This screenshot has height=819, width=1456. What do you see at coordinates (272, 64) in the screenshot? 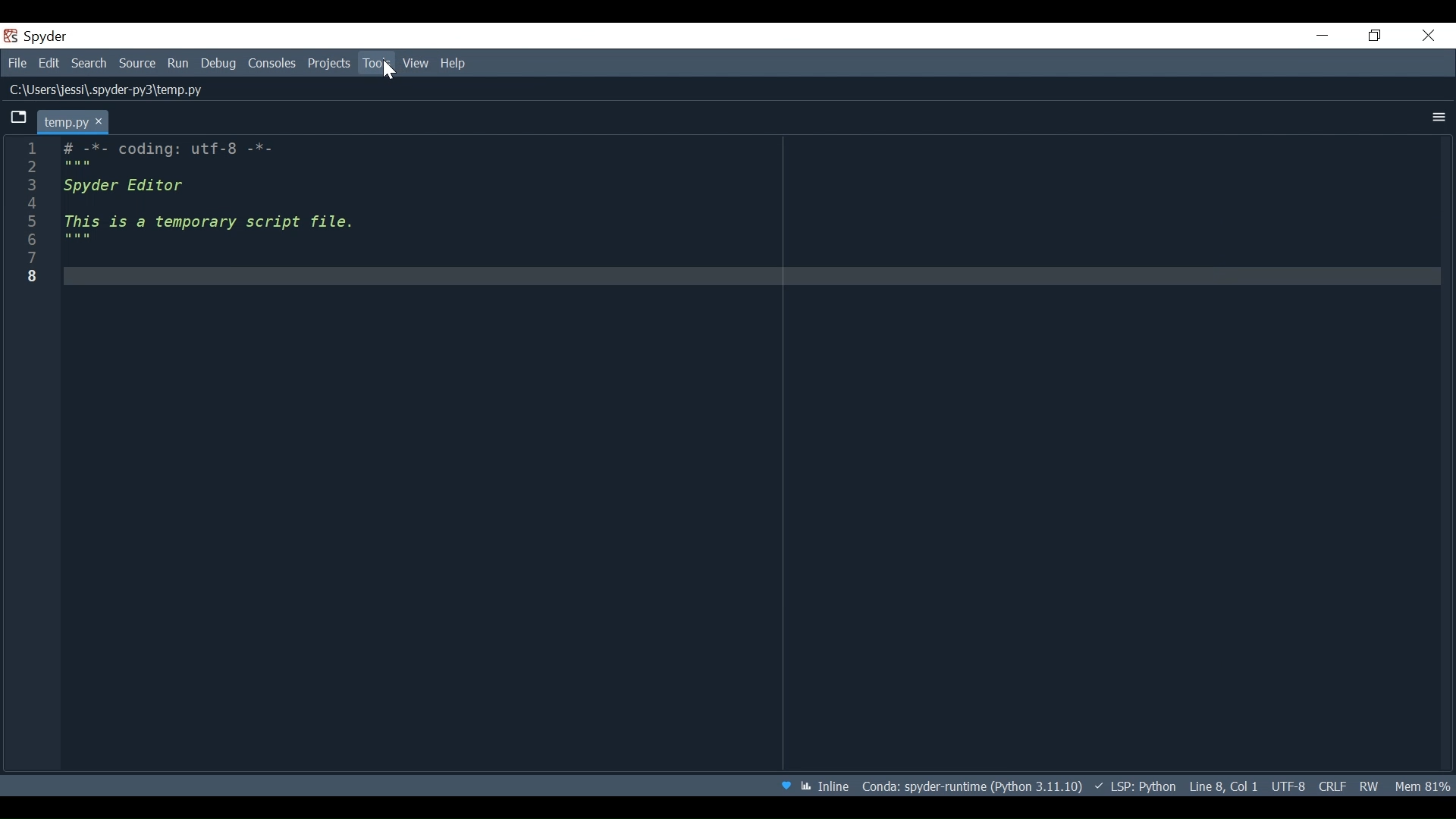
I see `Consoles` at bounding box center [272, 64].